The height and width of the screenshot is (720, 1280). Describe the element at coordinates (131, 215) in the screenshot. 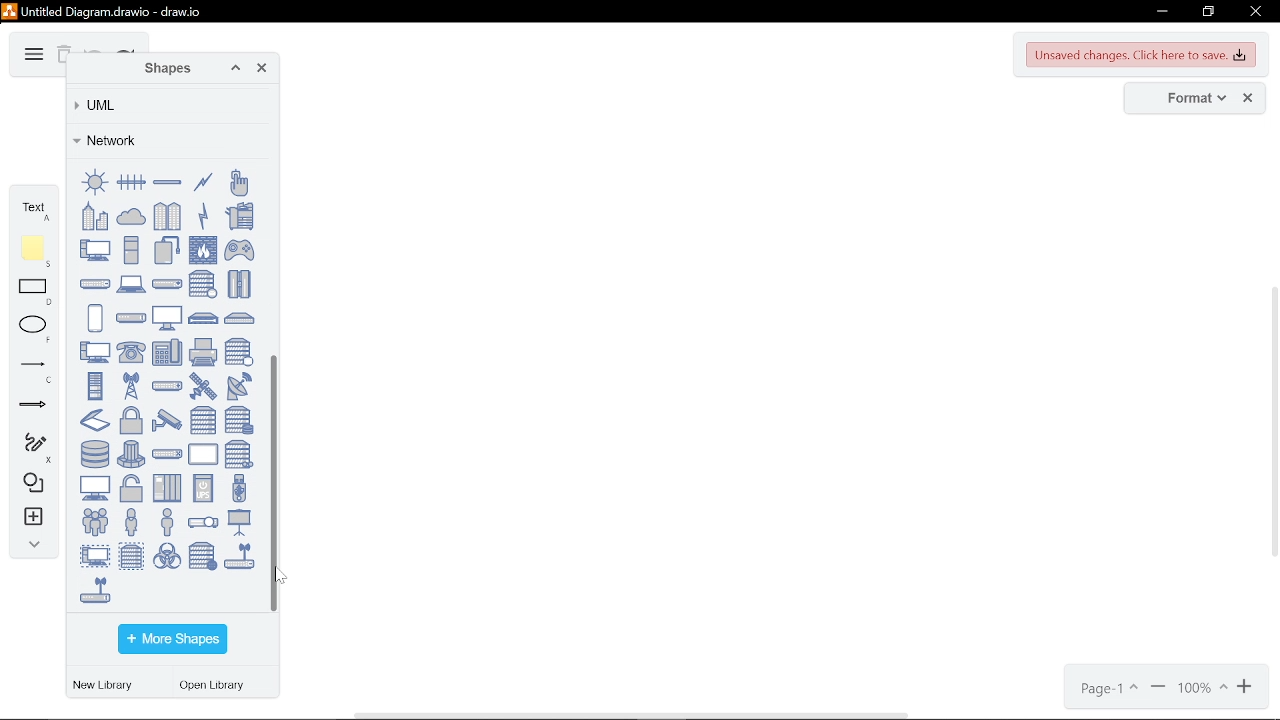

I see `cloud` at that location.